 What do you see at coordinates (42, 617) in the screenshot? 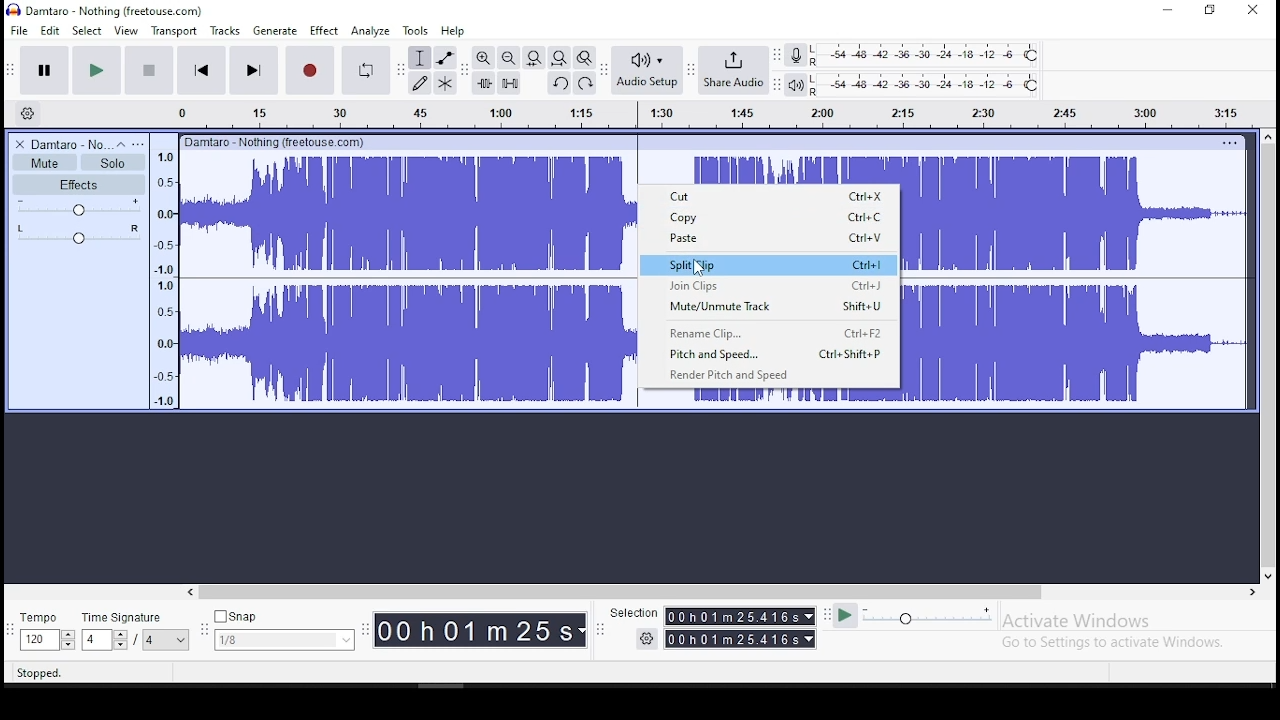
I see `tempo` at bounding box center [42, 617].